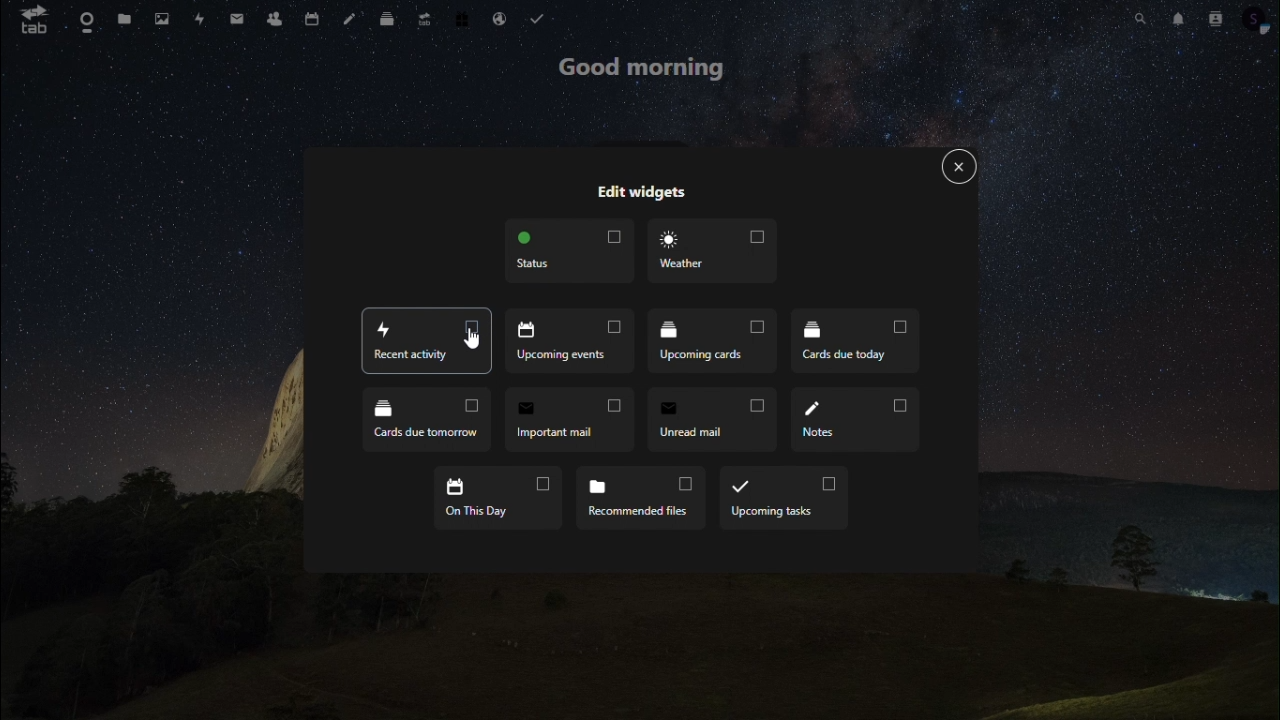 This screenshot has height=720, width=1280. Describe the element at coordinates (85, 23) in the screenshot. I see `dashboard` at that location.